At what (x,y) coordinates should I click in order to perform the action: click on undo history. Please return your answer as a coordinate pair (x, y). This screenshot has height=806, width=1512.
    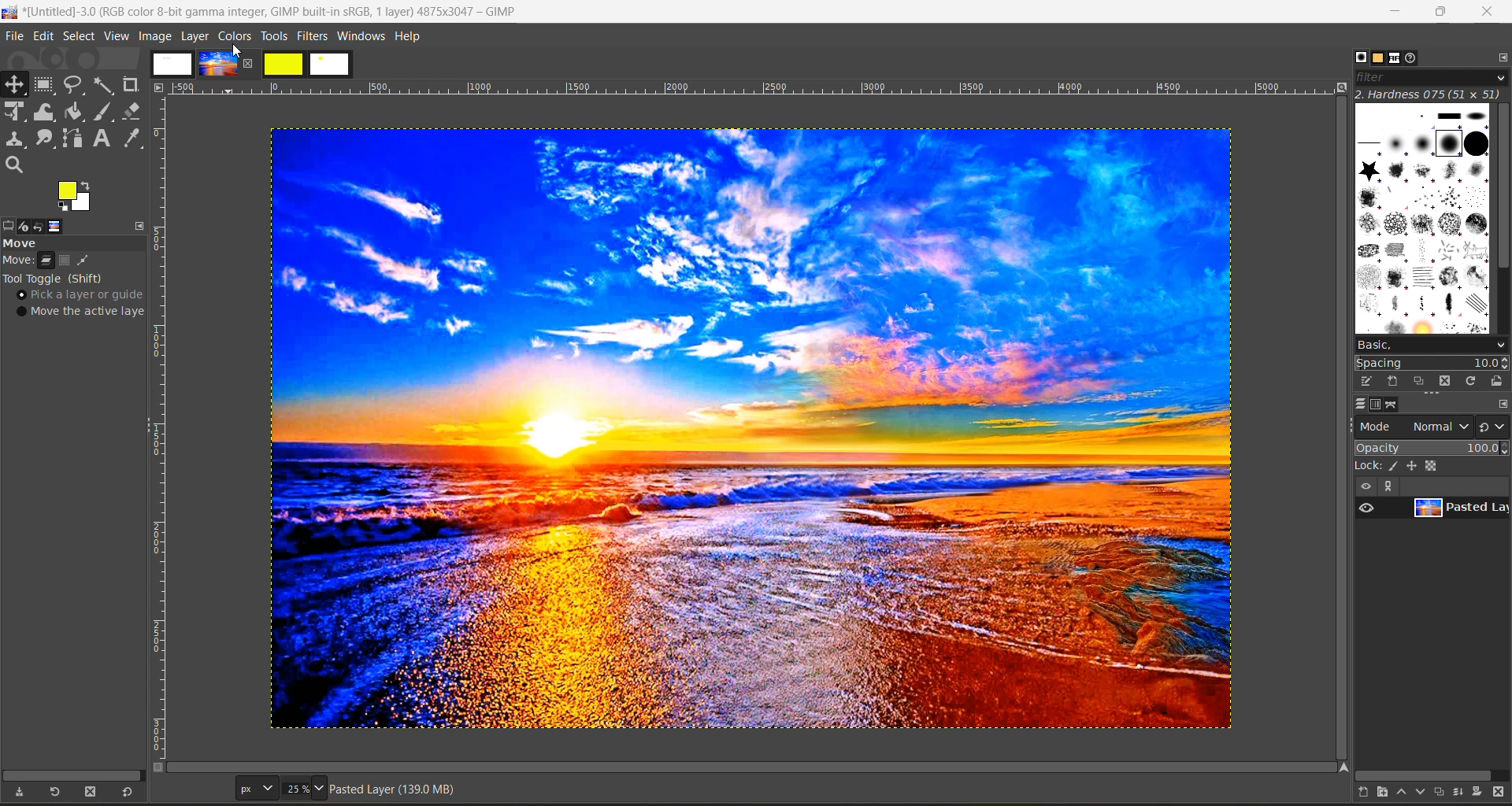
    Looking at the image, I should click on (37, 227).